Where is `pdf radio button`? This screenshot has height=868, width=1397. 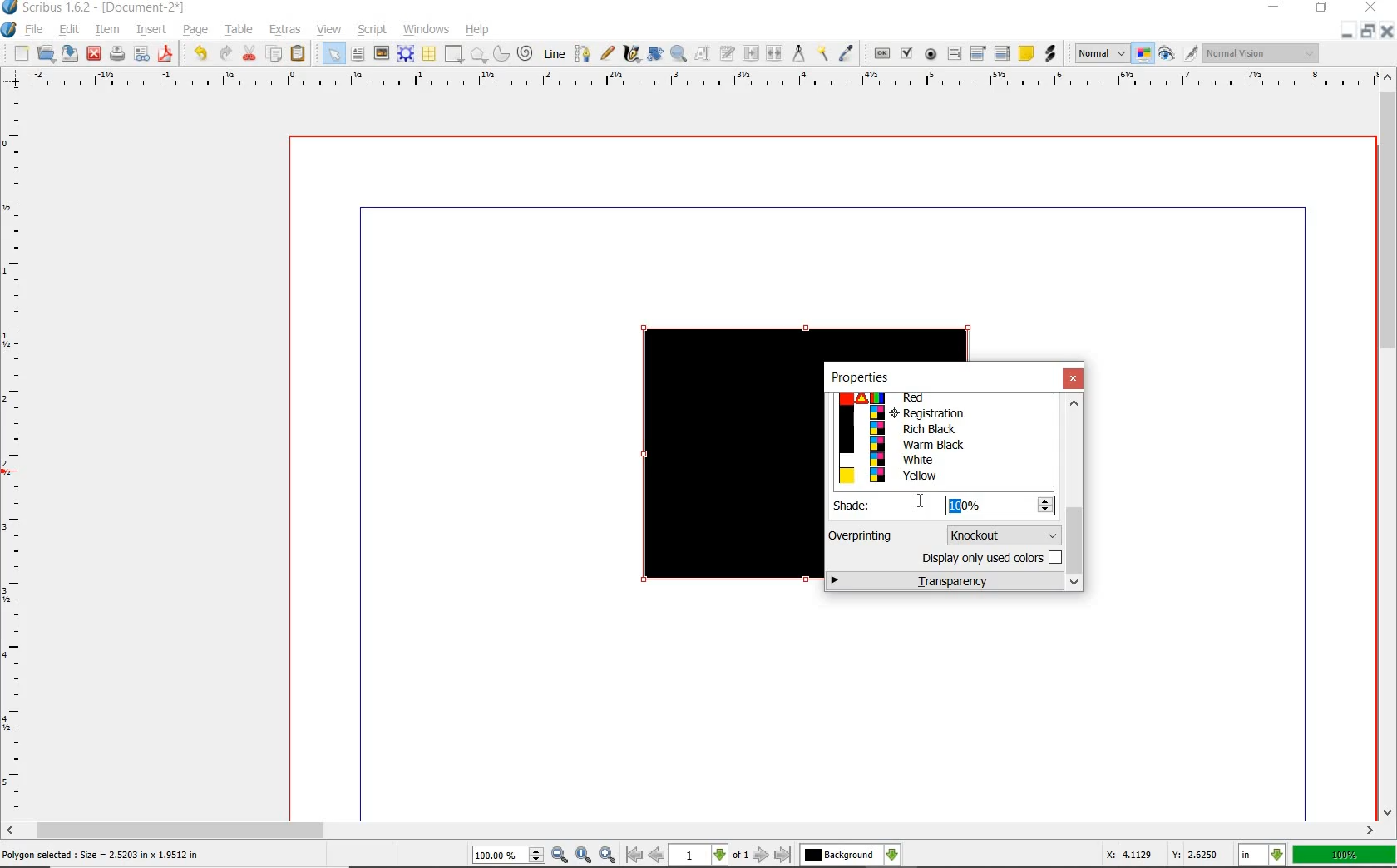 pdf radio button is located at coordinates (927, 54).